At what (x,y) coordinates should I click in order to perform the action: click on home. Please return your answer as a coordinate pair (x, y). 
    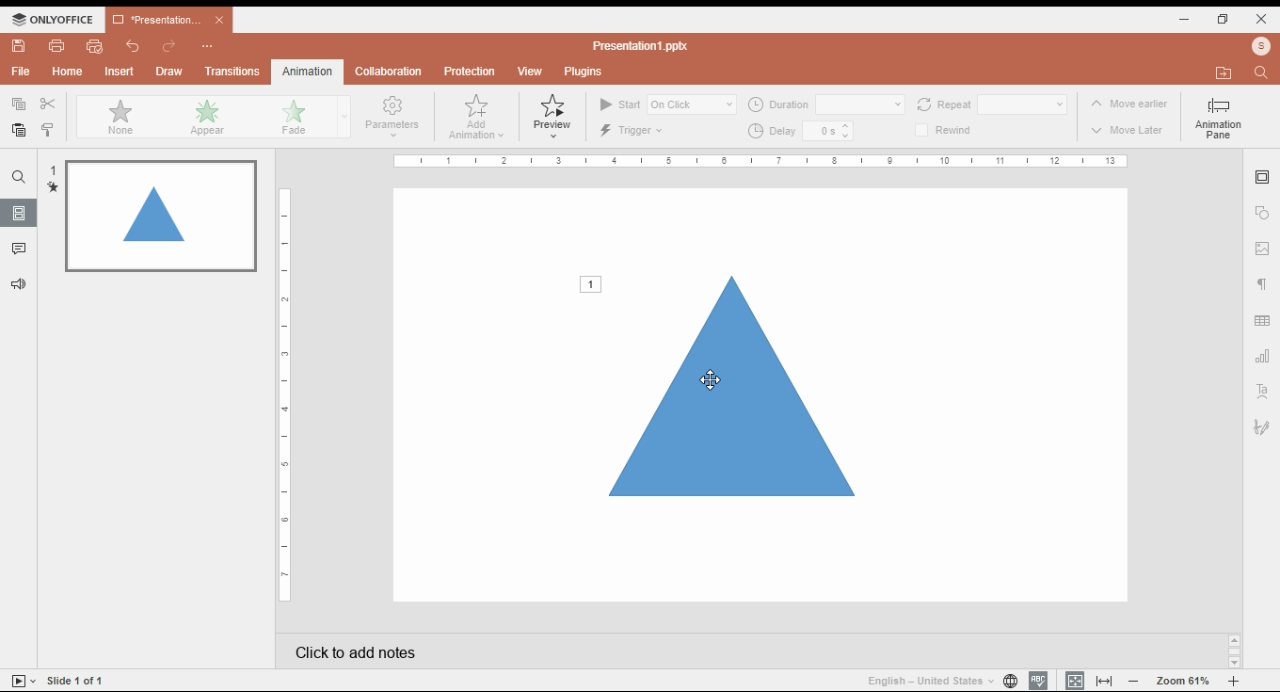
    Looking at the image, I should click on (68, 72).